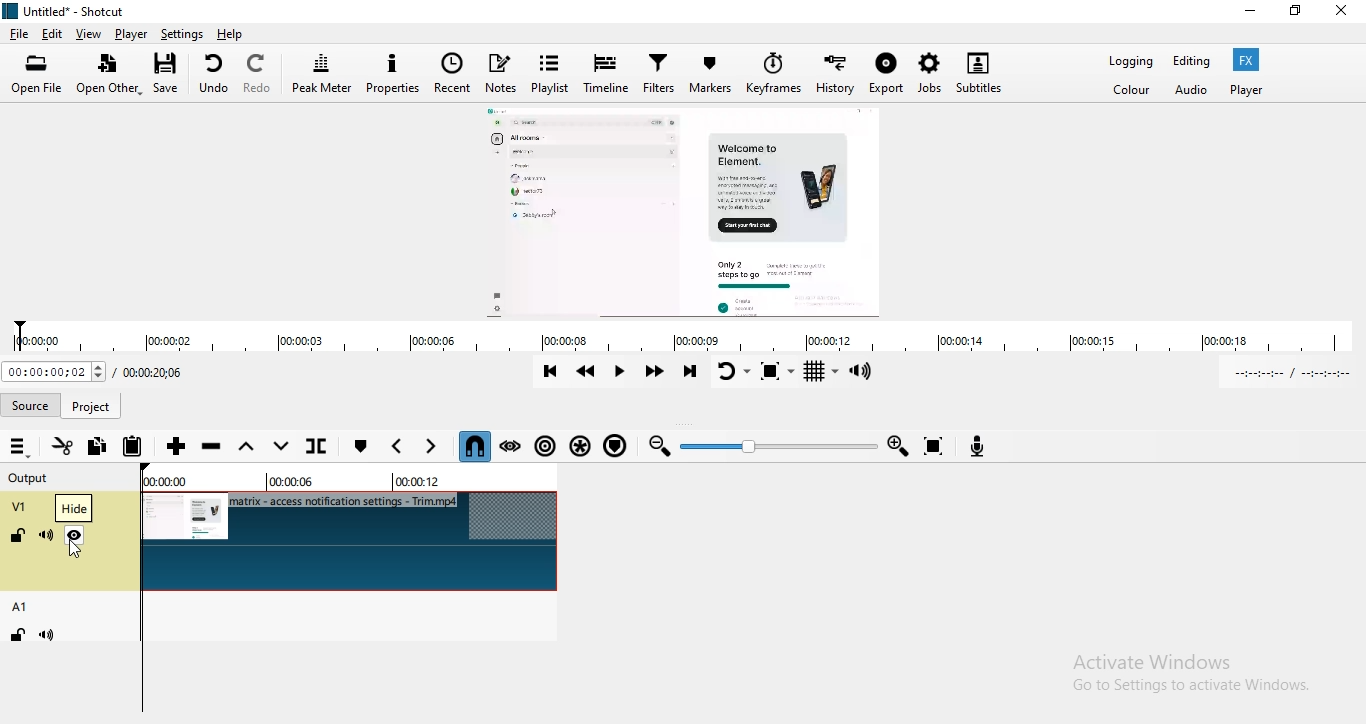 This screenshot has width=1366, height=724. I want to click on Zoom in, so click(900, 445).